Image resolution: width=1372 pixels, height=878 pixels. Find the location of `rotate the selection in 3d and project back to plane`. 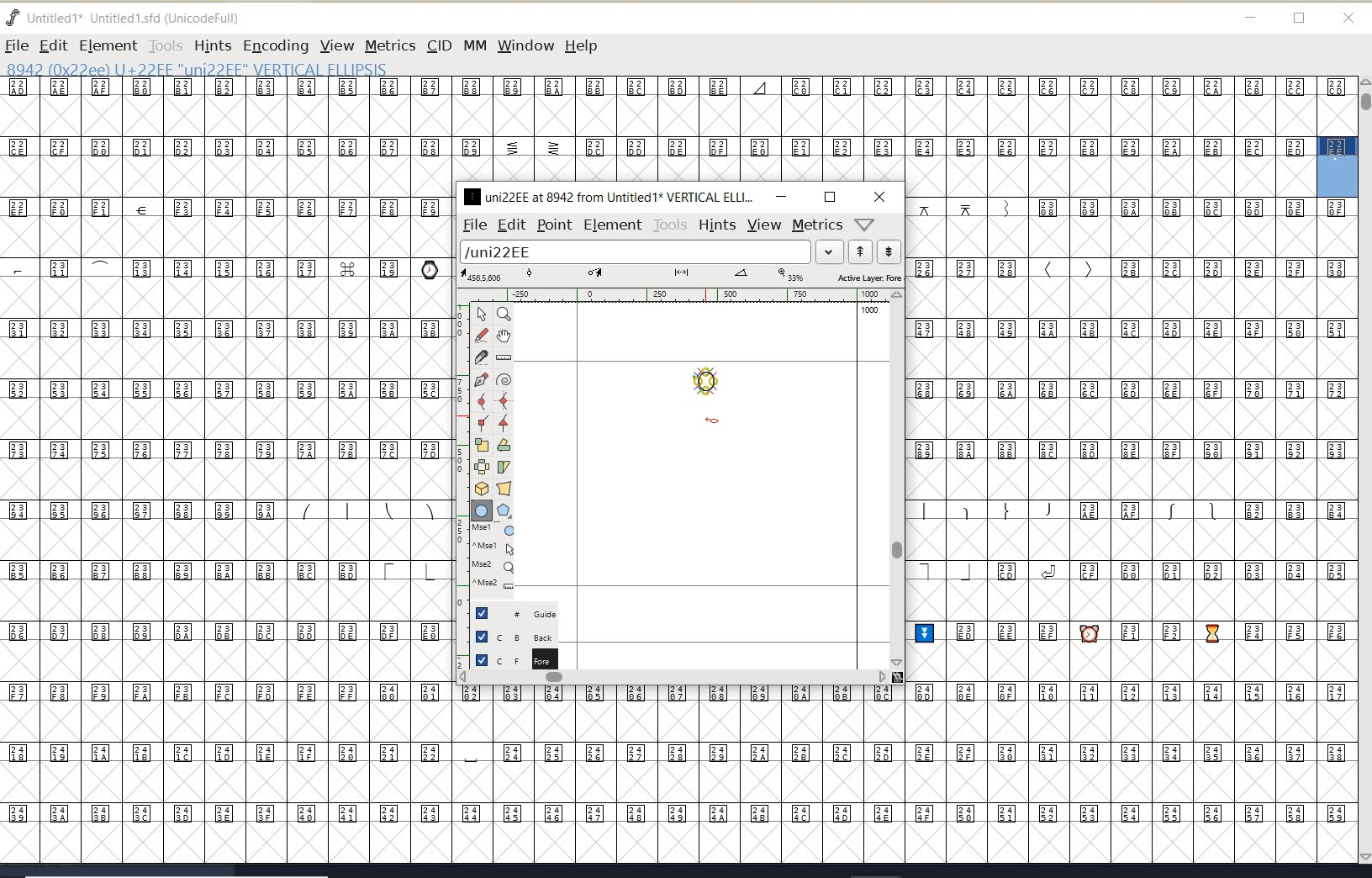

rotate the selection in 3d and project back to plane is located at coordinates (482, 489).